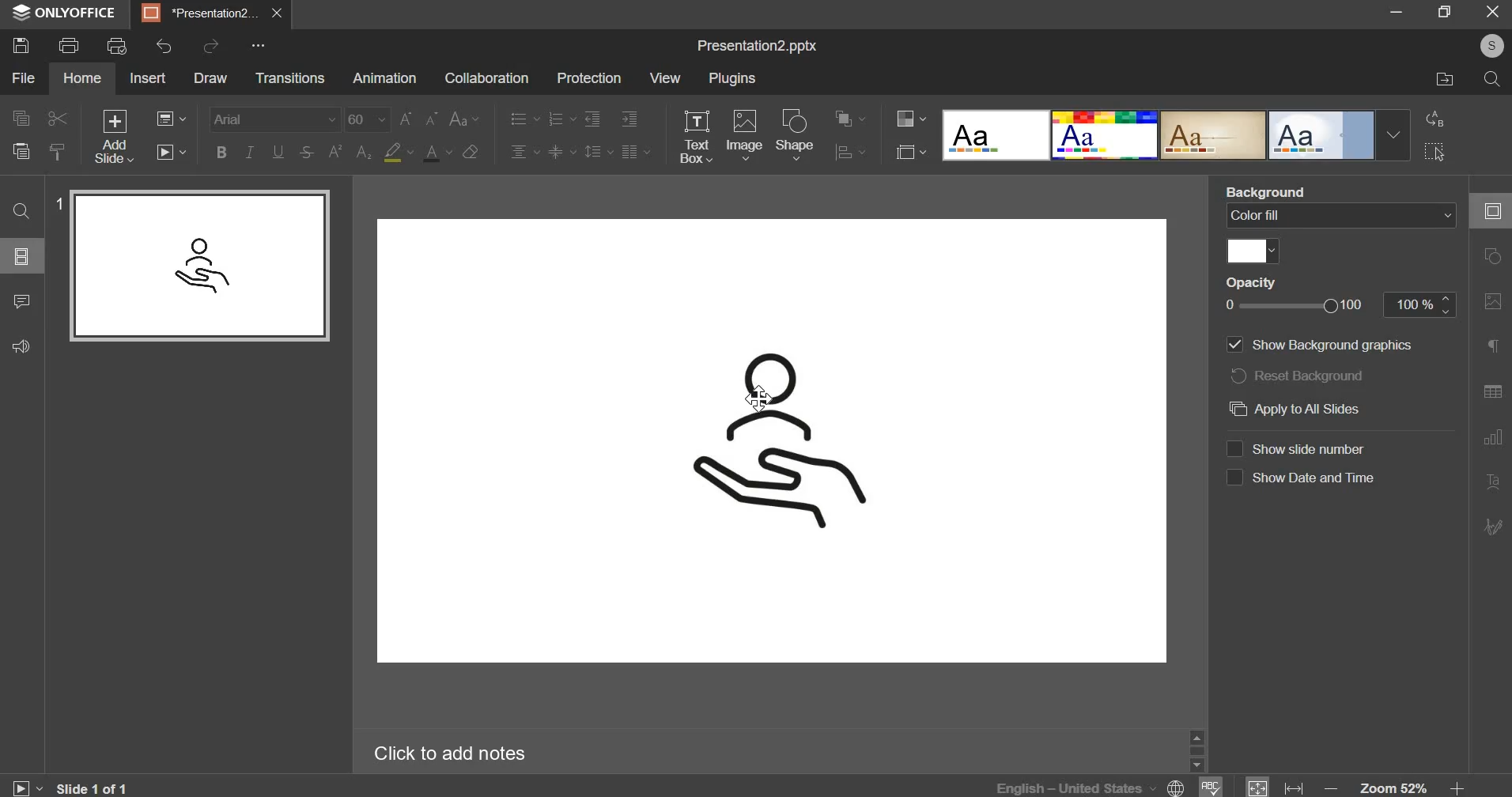 This screenshot has height=797, width=1512. What do you see at coordinates (731, 78) in the screenshot?
I see `plugins` at bounding box center [731, 78].